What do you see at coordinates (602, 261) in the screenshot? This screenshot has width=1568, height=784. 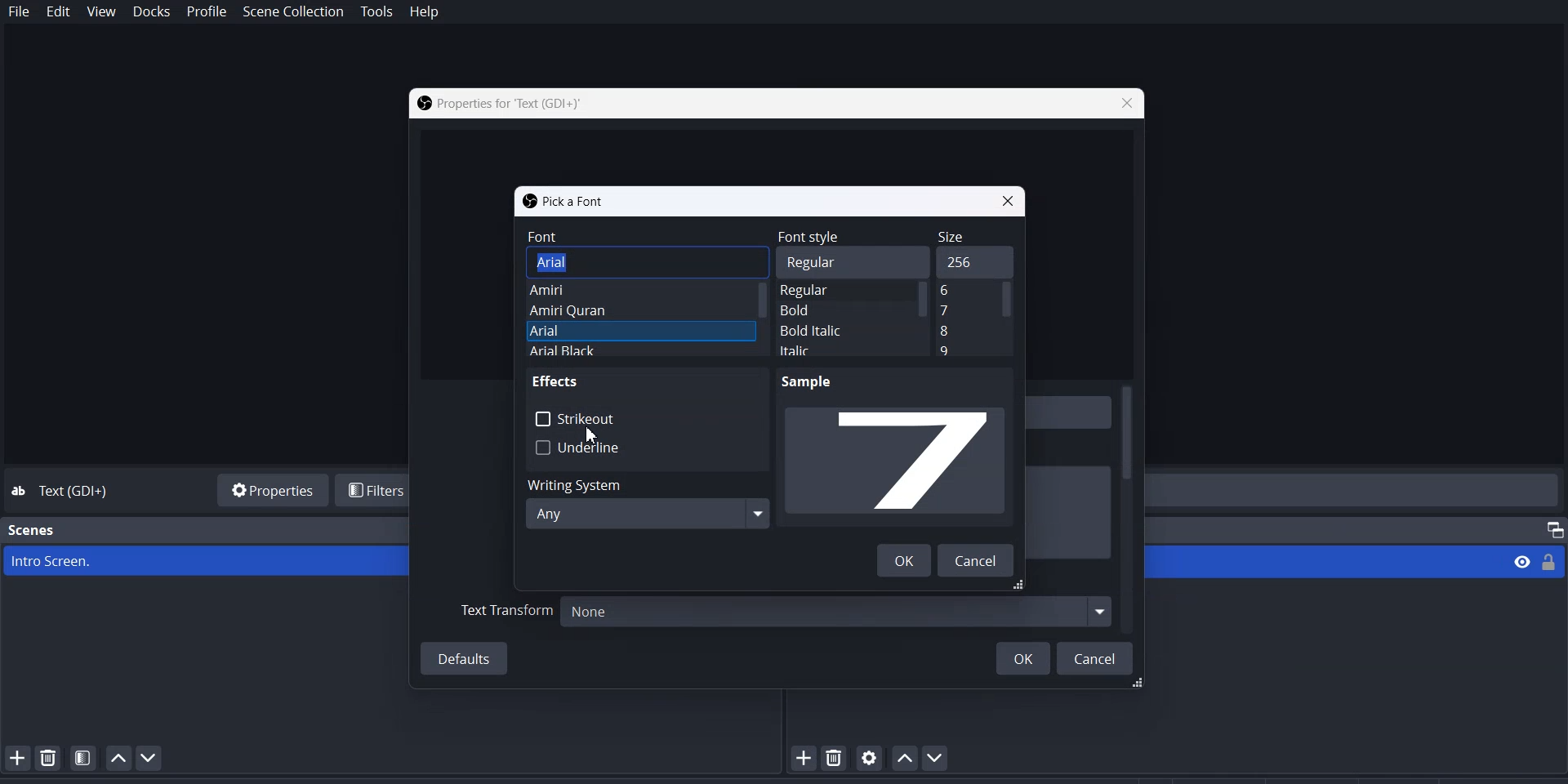 I see `Arial` at bounding box center [602, 261].